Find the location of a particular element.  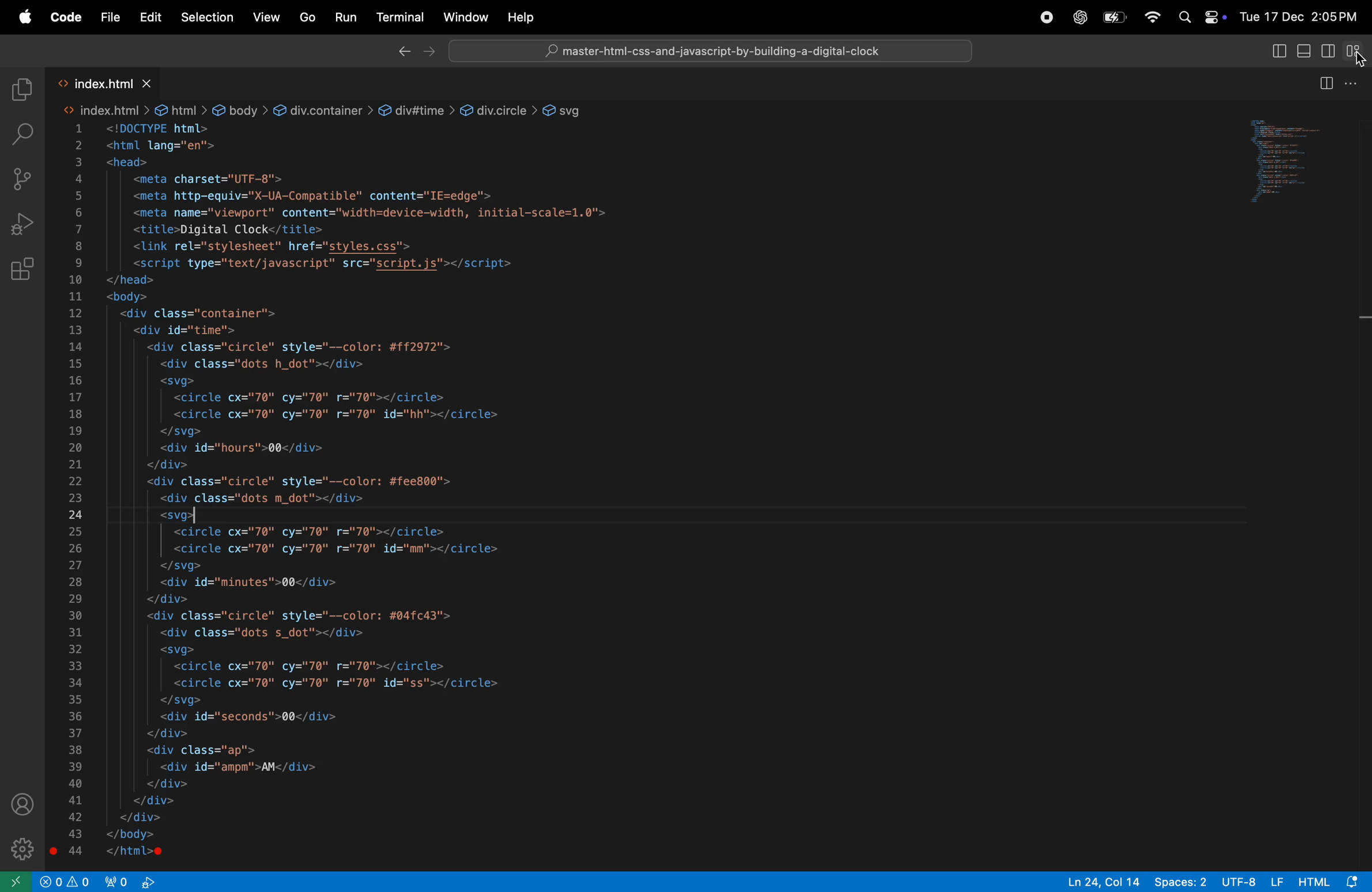

run is located at coordinates (346, 16).